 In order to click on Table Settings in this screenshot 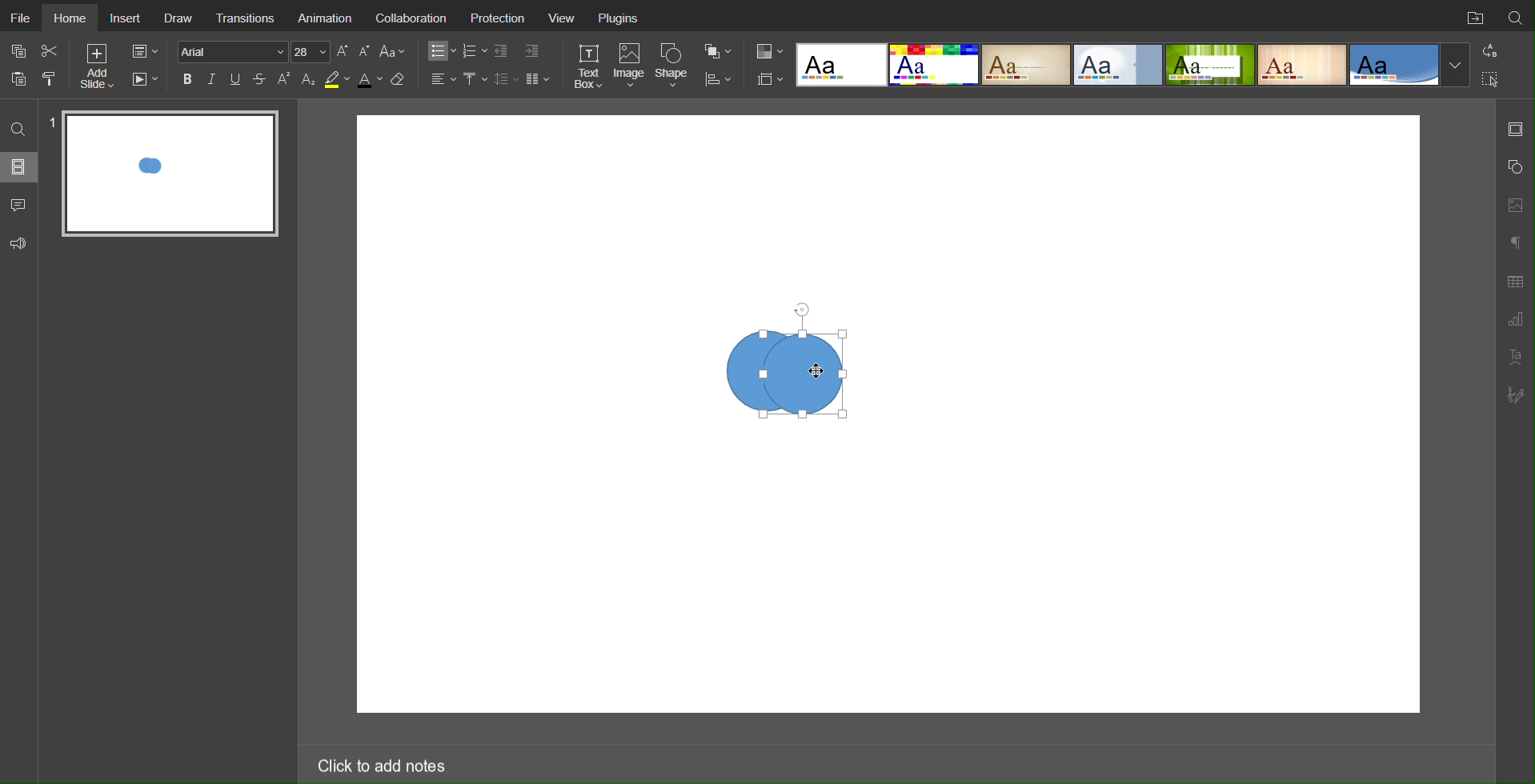, I will do `click(1515, 280)`.